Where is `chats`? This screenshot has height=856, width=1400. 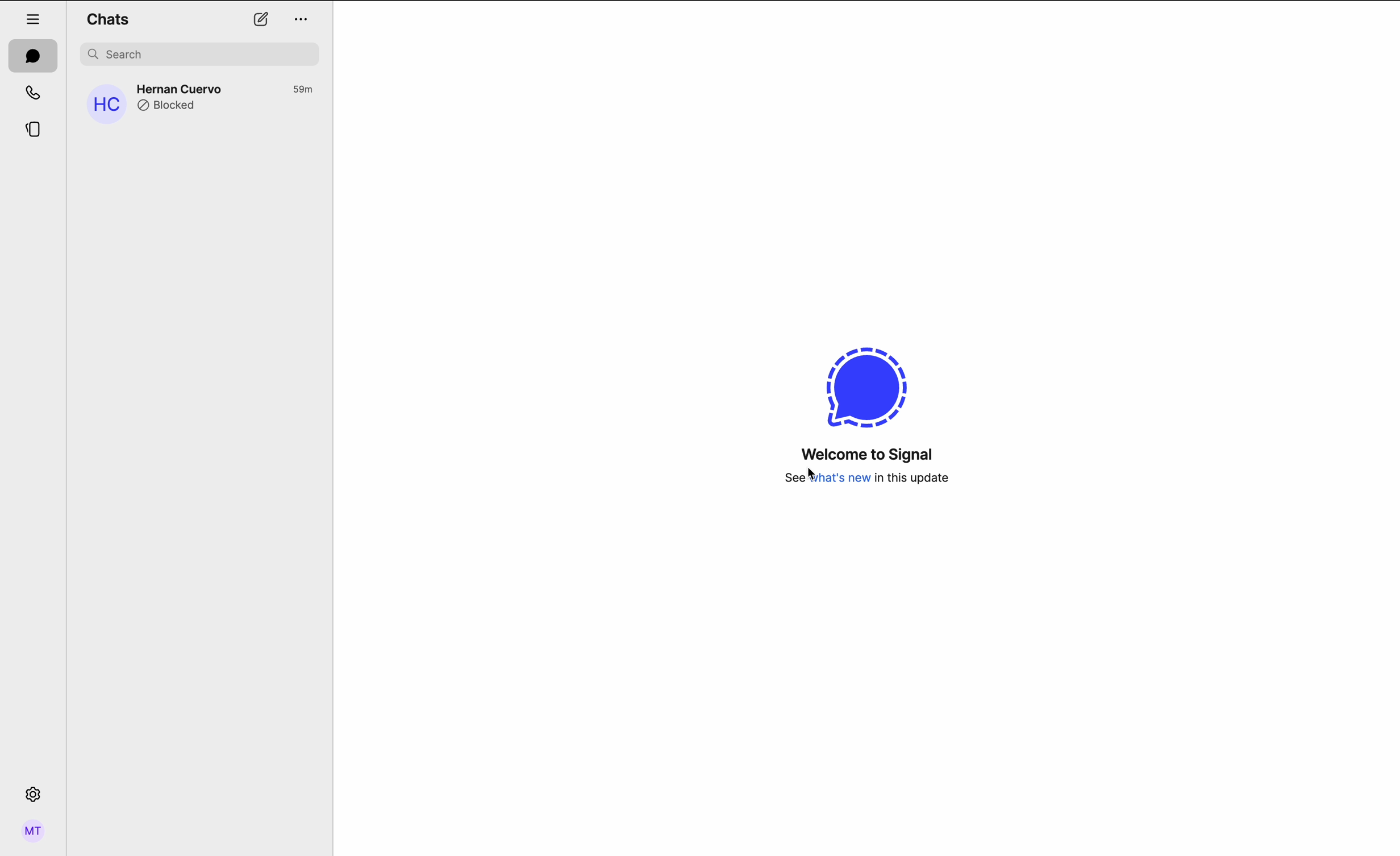
chats is located at coordinates (111, 18).